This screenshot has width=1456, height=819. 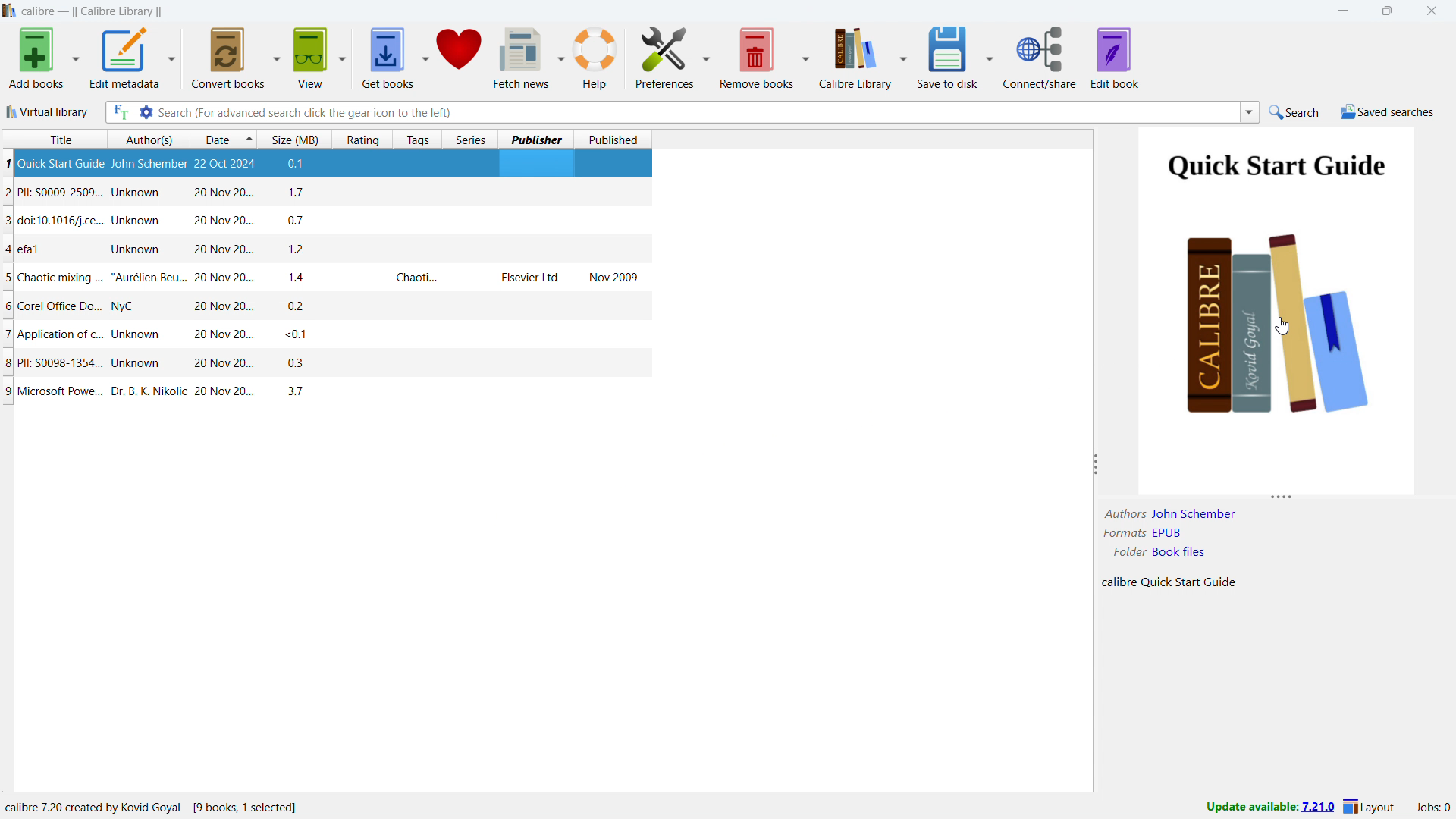 I want to click on Nov 2009, so click(x=613, y=277).